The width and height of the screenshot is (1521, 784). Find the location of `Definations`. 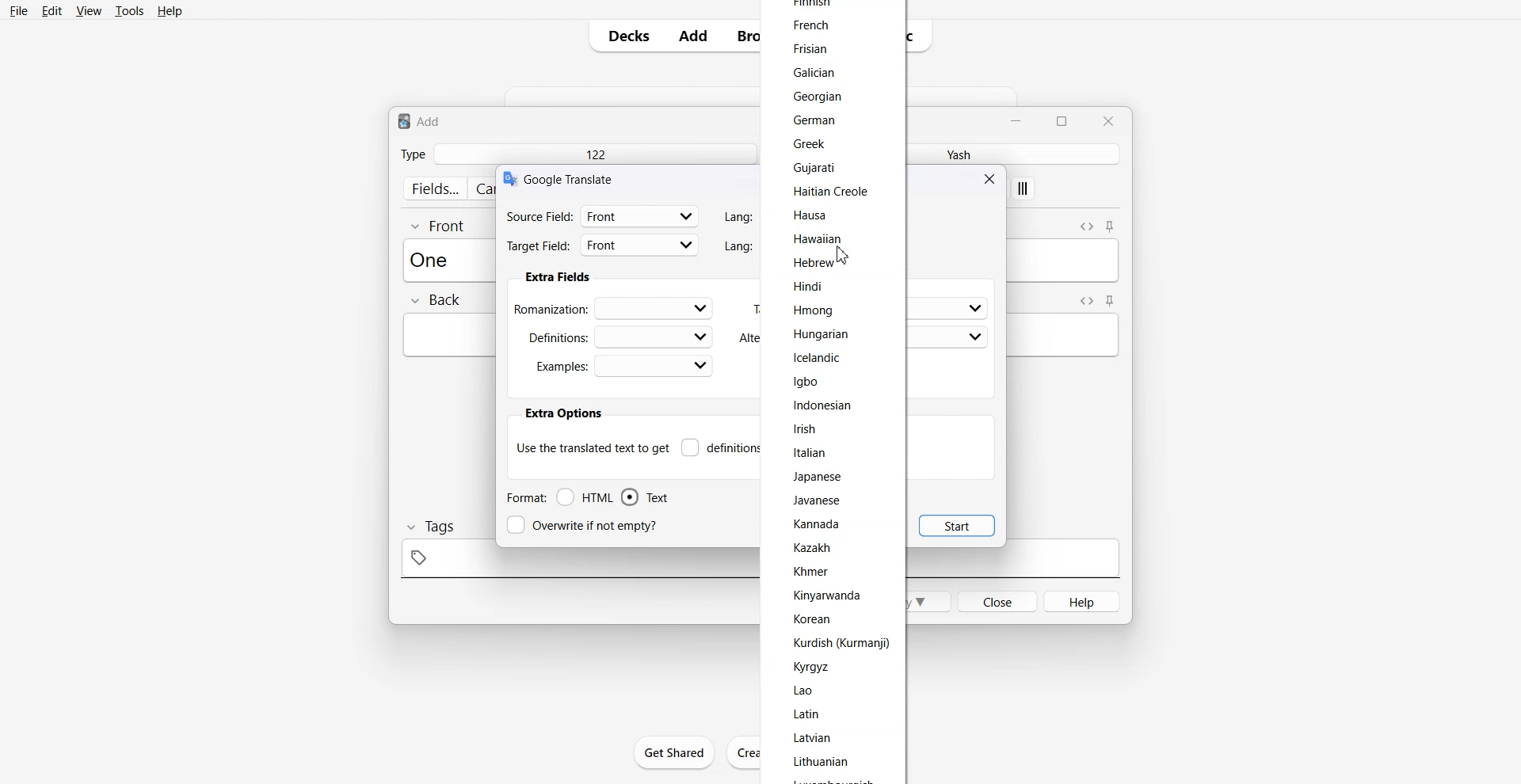

Definations is located at coordinates (618, 336).